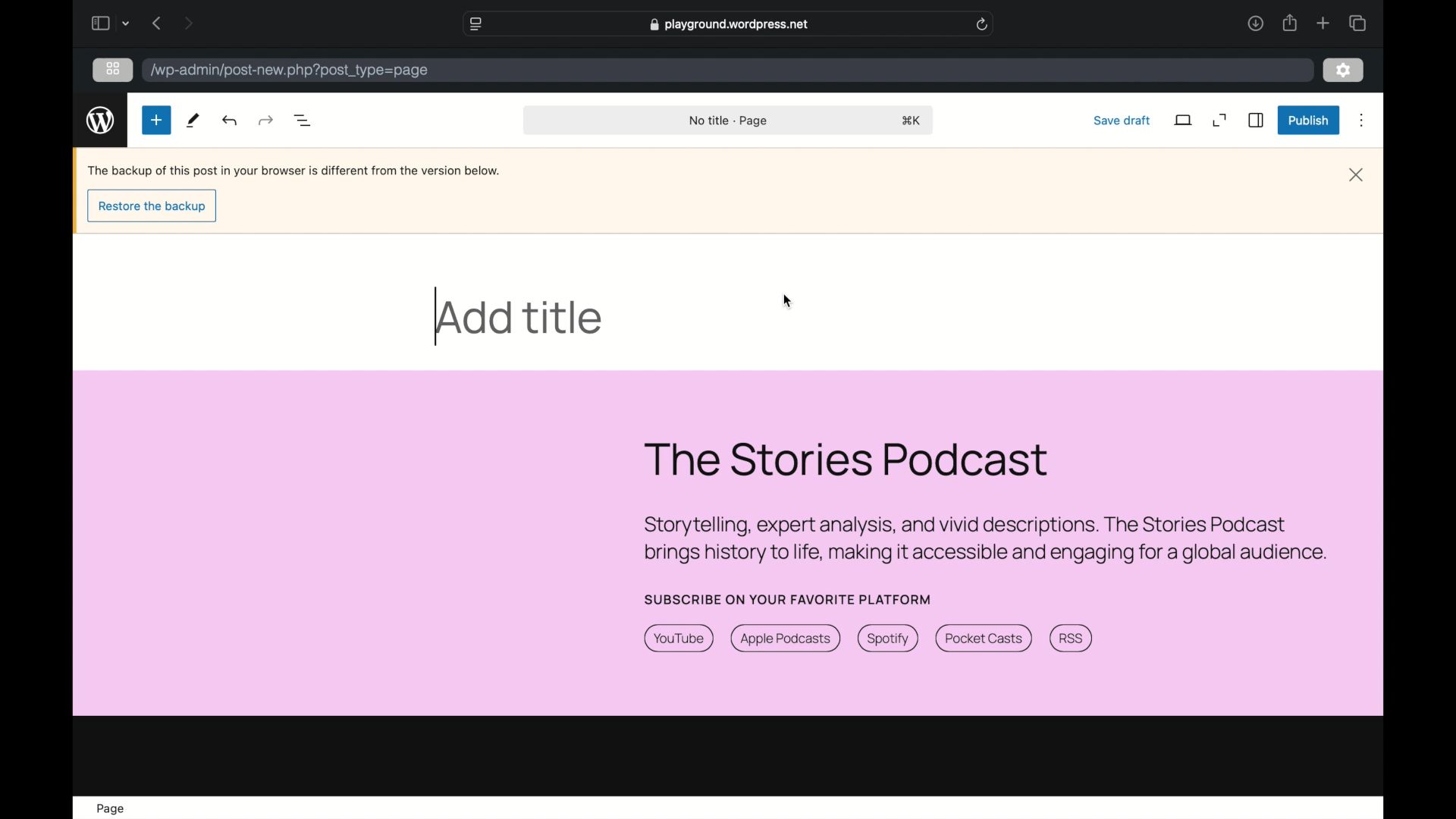 This screenshot has width=1456, height=819. What do you see at coordinates (109, 808) in the screenshot?
I see `page` at bounding box center [109, 808].